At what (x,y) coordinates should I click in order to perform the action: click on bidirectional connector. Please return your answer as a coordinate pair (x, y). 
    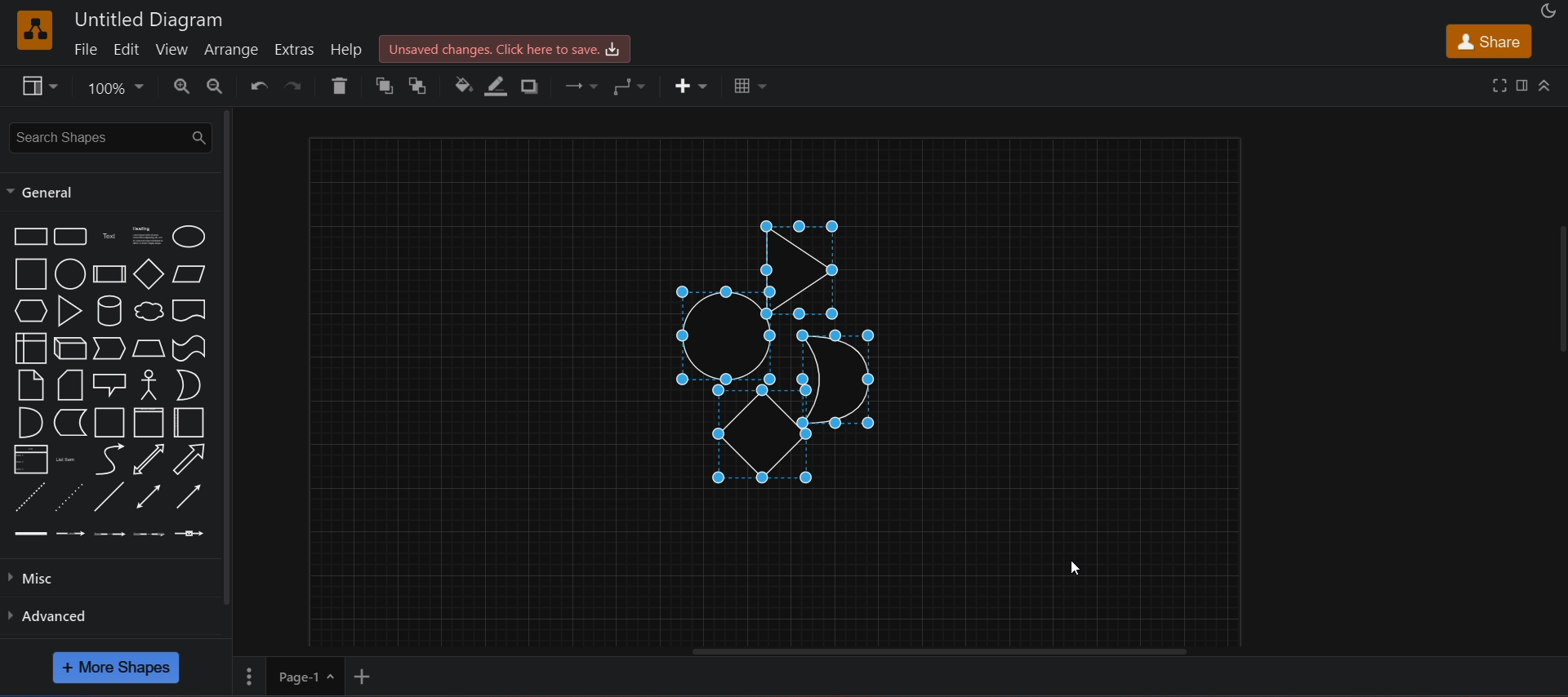
    Looking at the image, I should click on (145, 497).